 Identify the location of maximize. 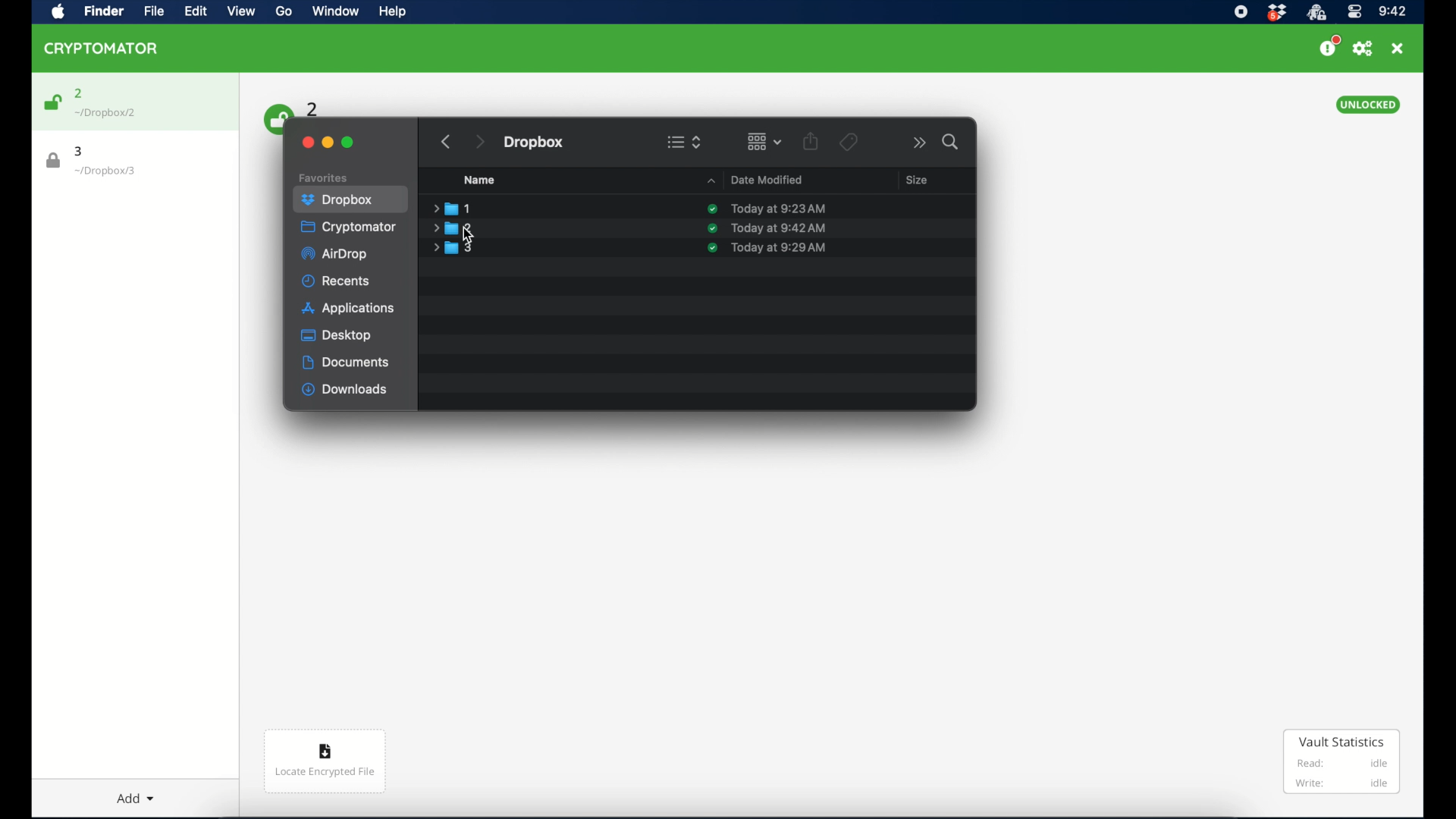
(348, 143).